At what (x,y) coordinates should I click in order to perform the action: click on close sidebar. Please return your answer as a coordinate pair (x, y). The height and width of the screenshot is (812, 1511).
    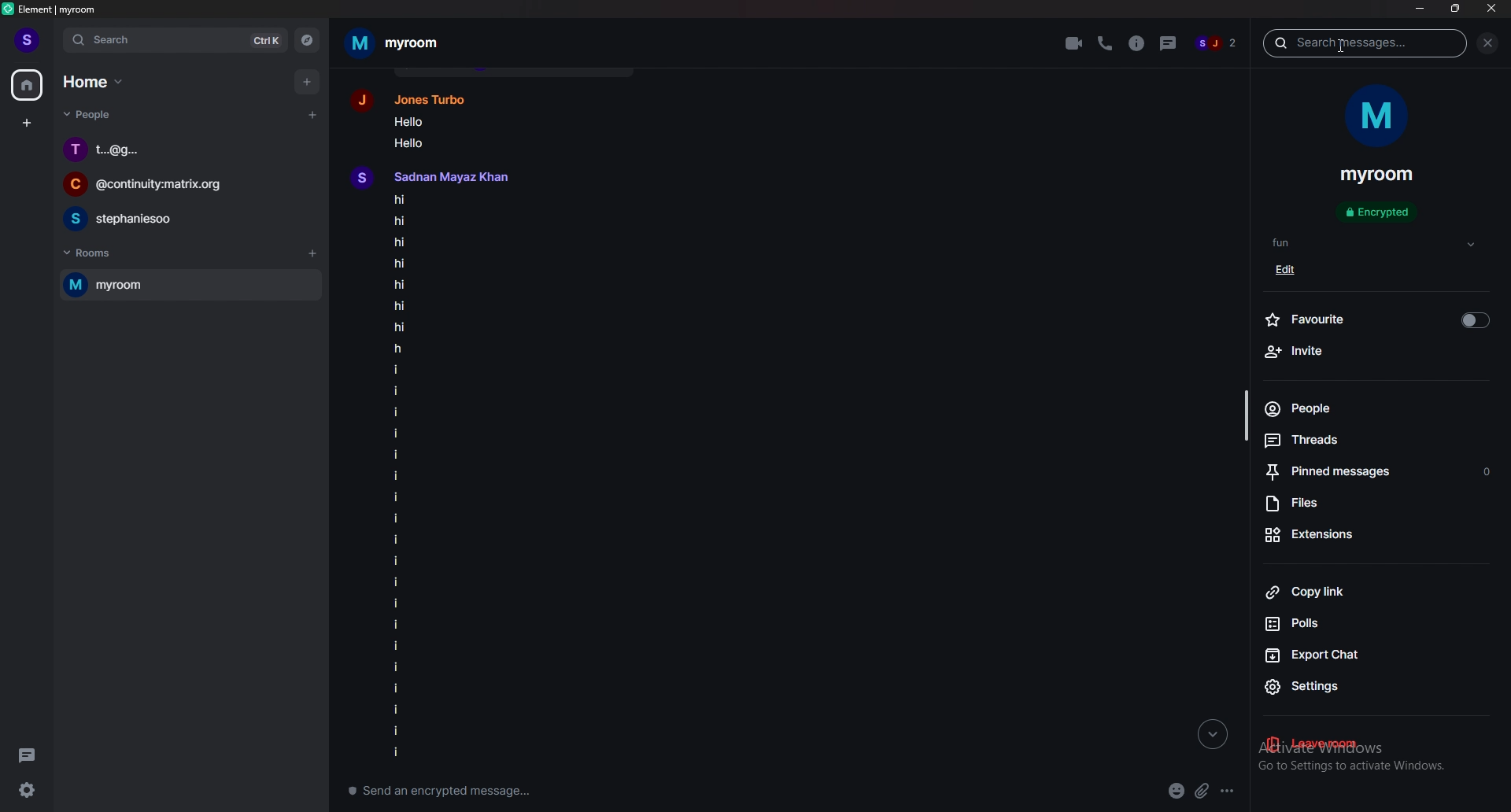
    Looking at the image, I should click on (1488, 42).